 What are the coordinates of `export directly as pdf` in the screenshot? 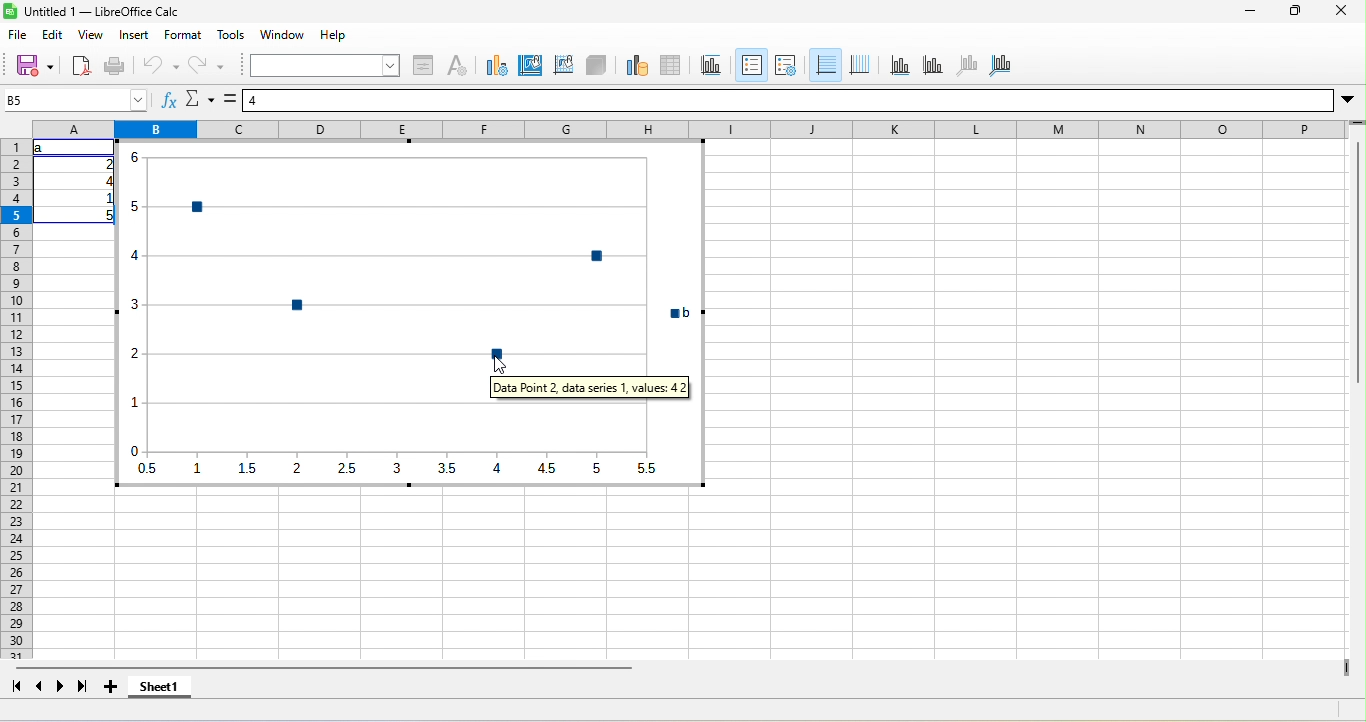 It's located at (81, 66).